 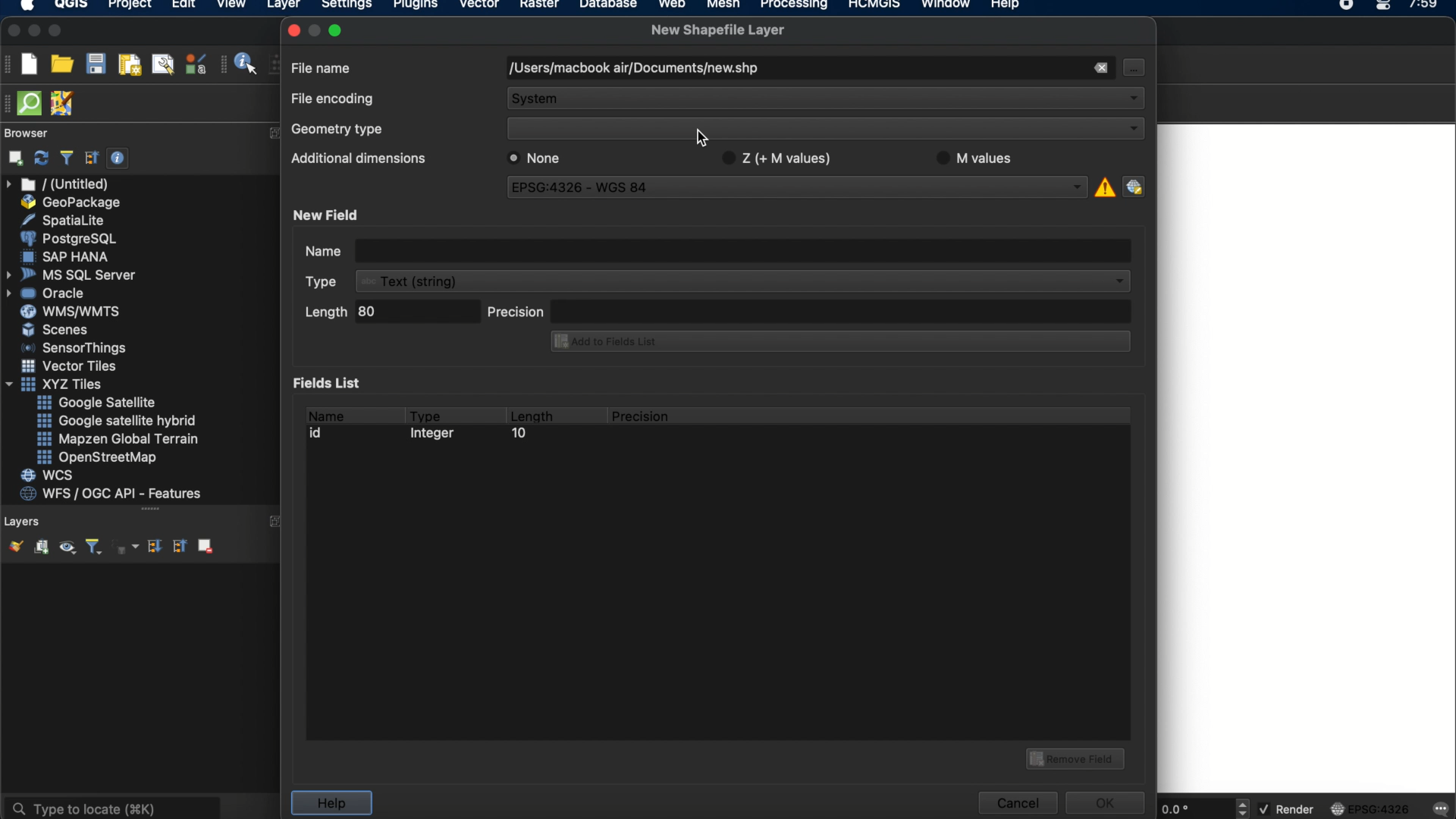 What do you see at coordinates (204, 545) in the screenshot?
I see `remove layer group` at bounding box center [204, 545].